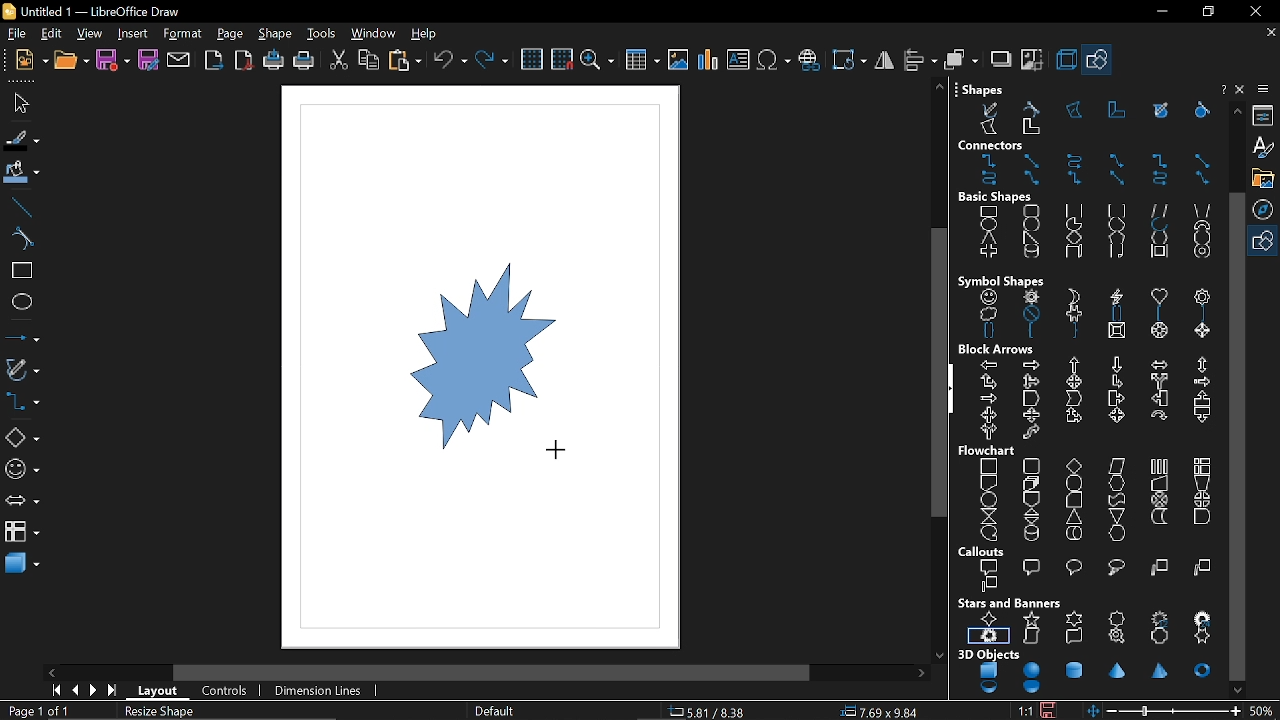 This screenshot has height=720, width=1280. I want to click on block arrows, so click(1090, 392).